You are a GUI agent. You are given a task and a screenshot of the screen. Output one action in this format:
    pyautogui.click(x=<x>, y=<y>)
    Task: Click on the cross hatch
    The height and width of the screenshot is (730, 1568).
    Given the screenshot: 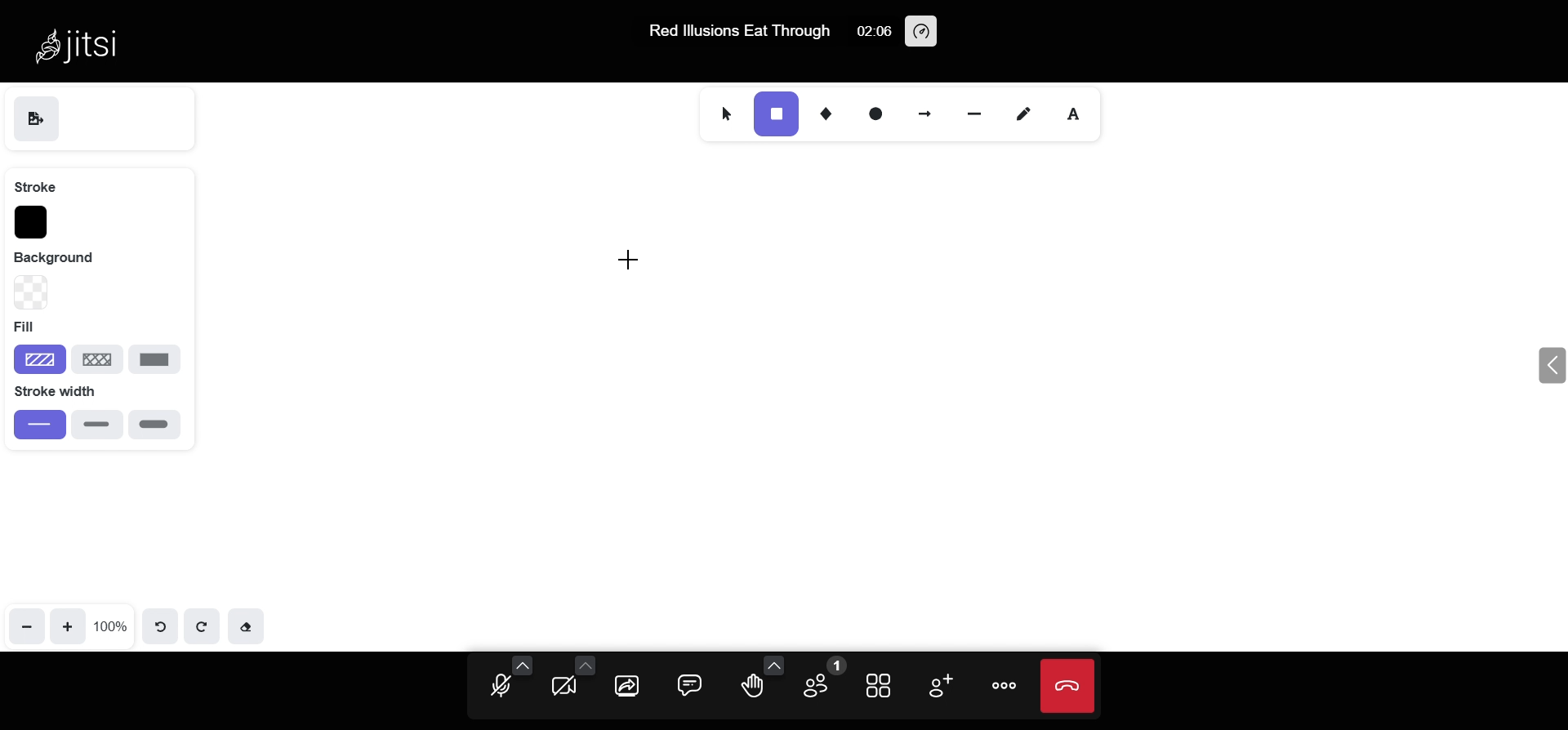 What is the action you would take?
    pyautogui.click(x=98, y=357)
    